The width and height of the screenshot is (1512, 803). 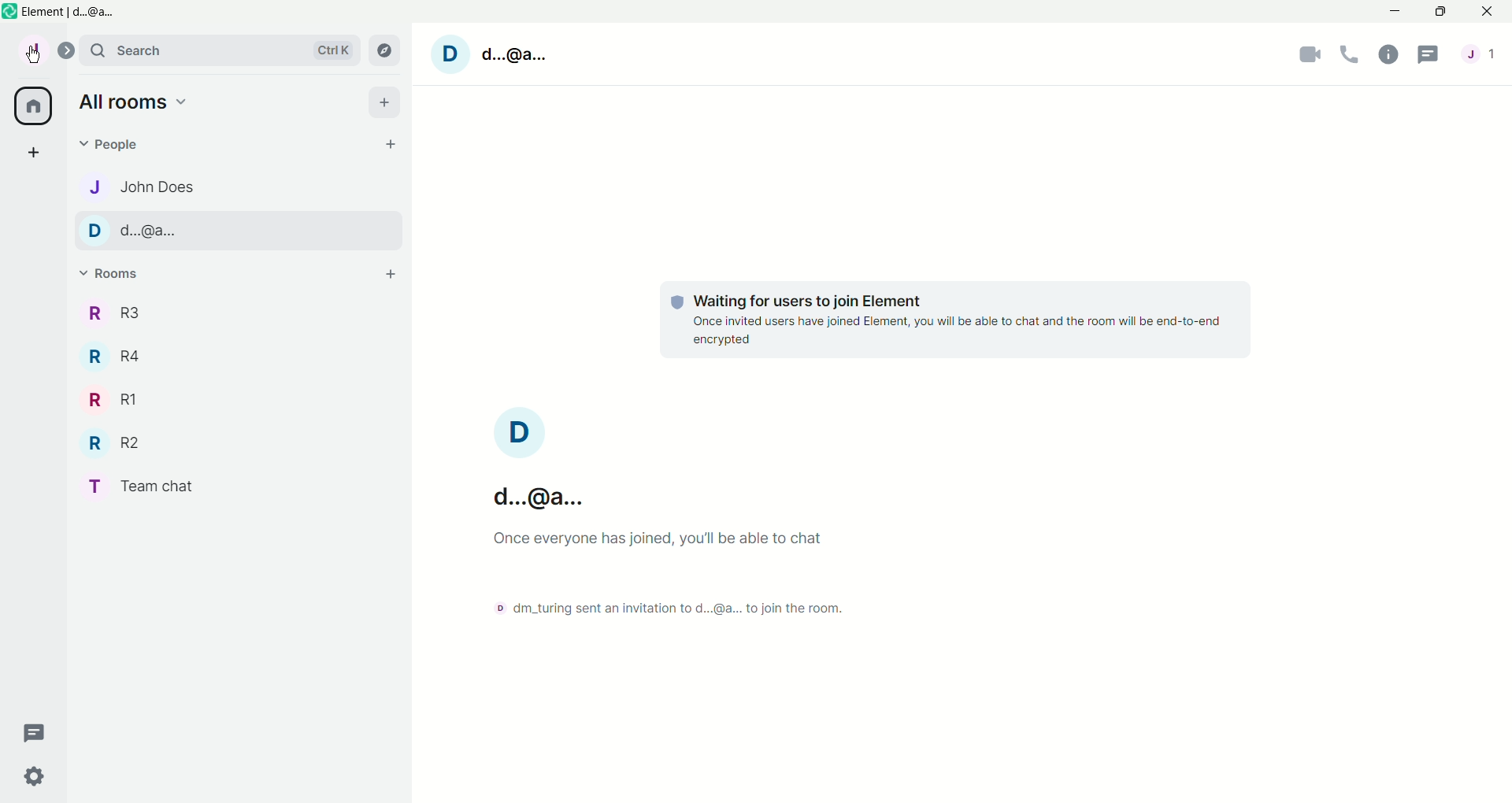 What do you see at coordinates (66, 50) in the screenshot?
I see `Expand` at bounding box center [66, 50].